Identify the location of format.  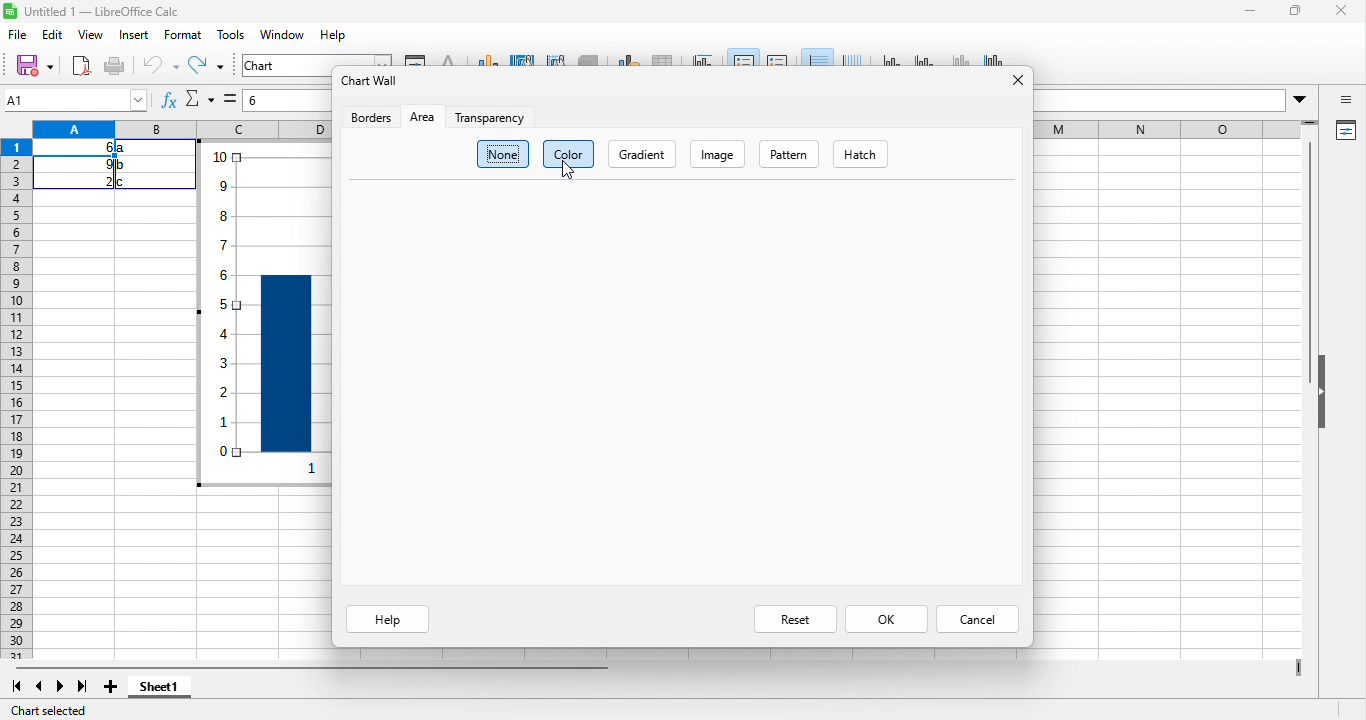
(186, 34).